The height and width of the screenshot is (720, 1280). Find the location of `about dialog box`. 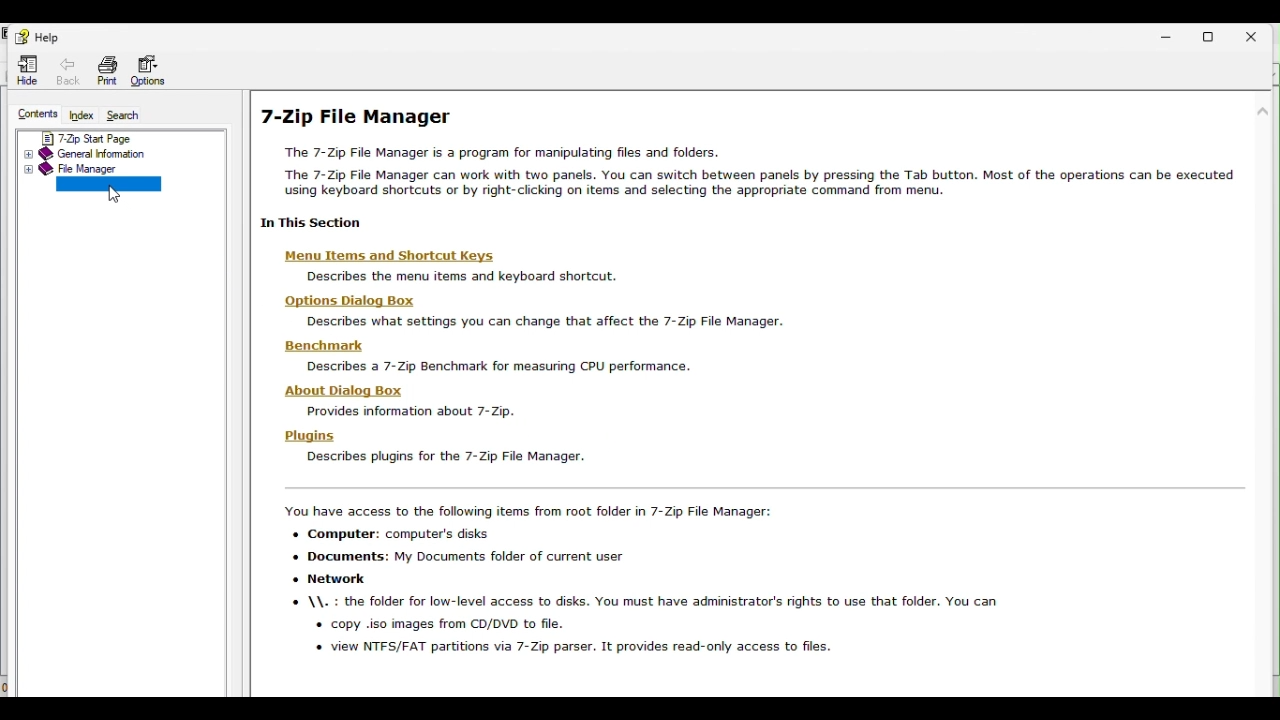

about dialog box is located at coordinates (339, 391).